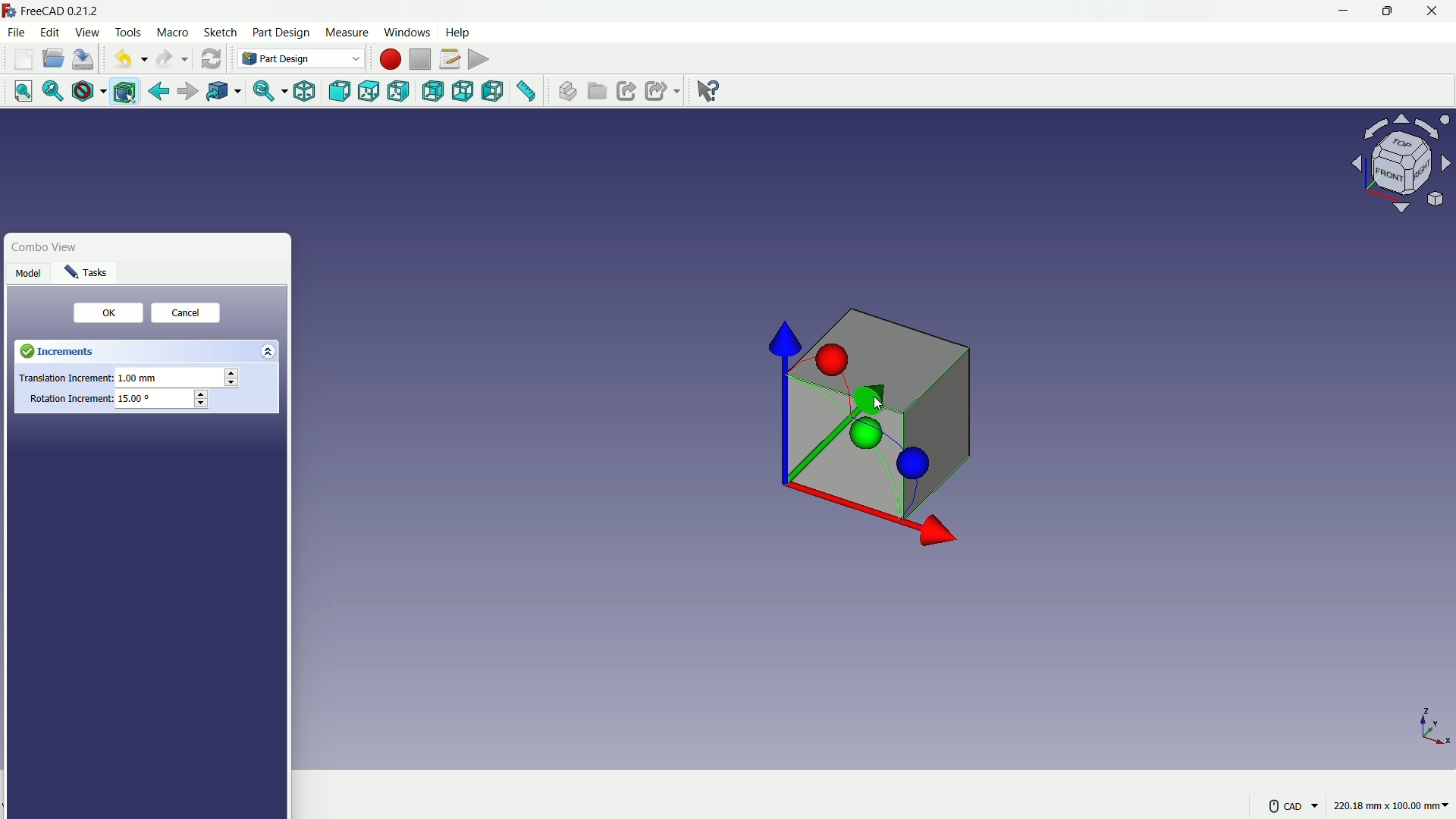  I want to click on Part Design, so click(301, 58).